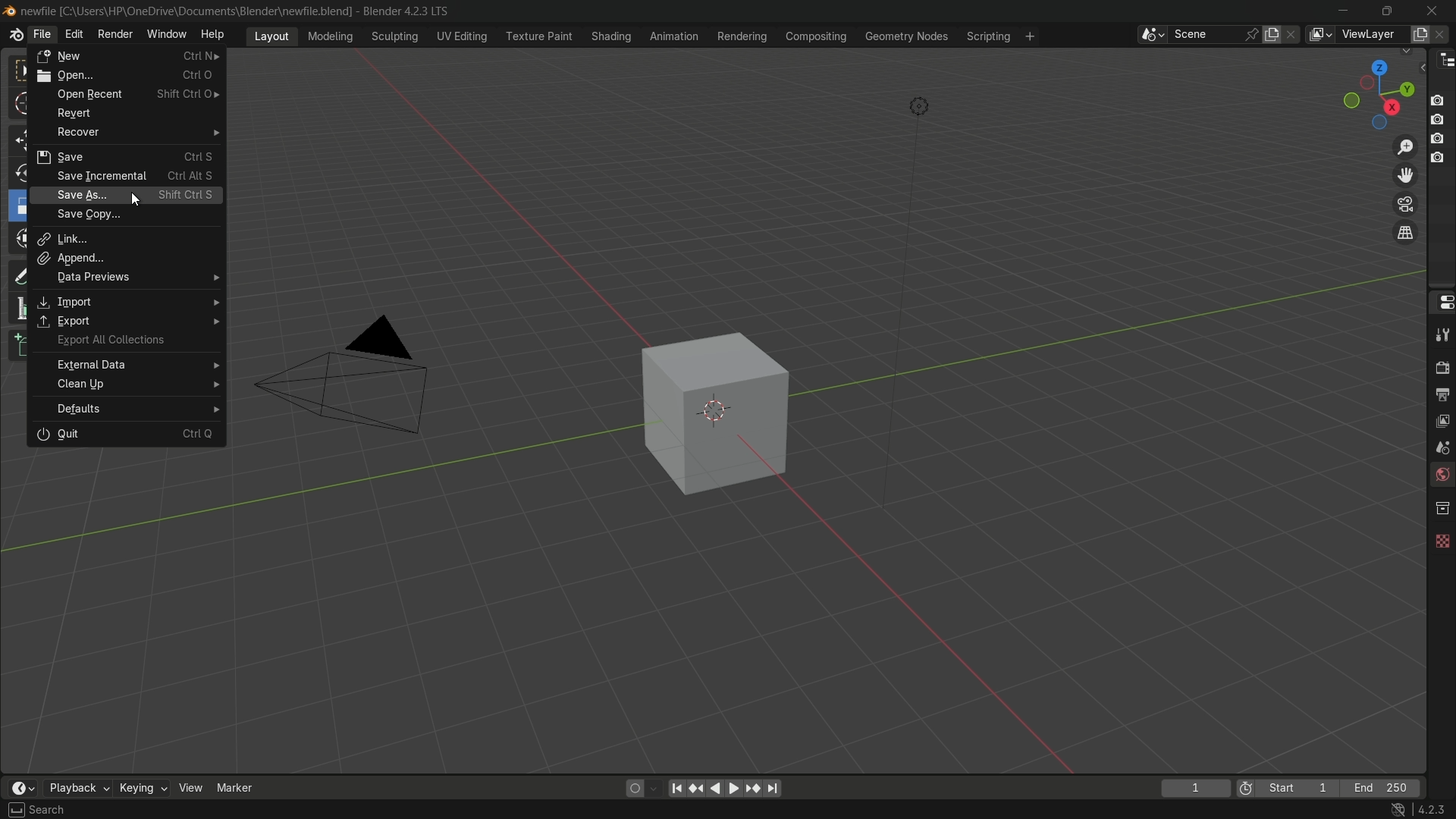 Image resolution: width=1456 pixels, height=819 pixels. Describe the element at coordinates (216, 34) in the screenshot. I see `help menu` at that location.